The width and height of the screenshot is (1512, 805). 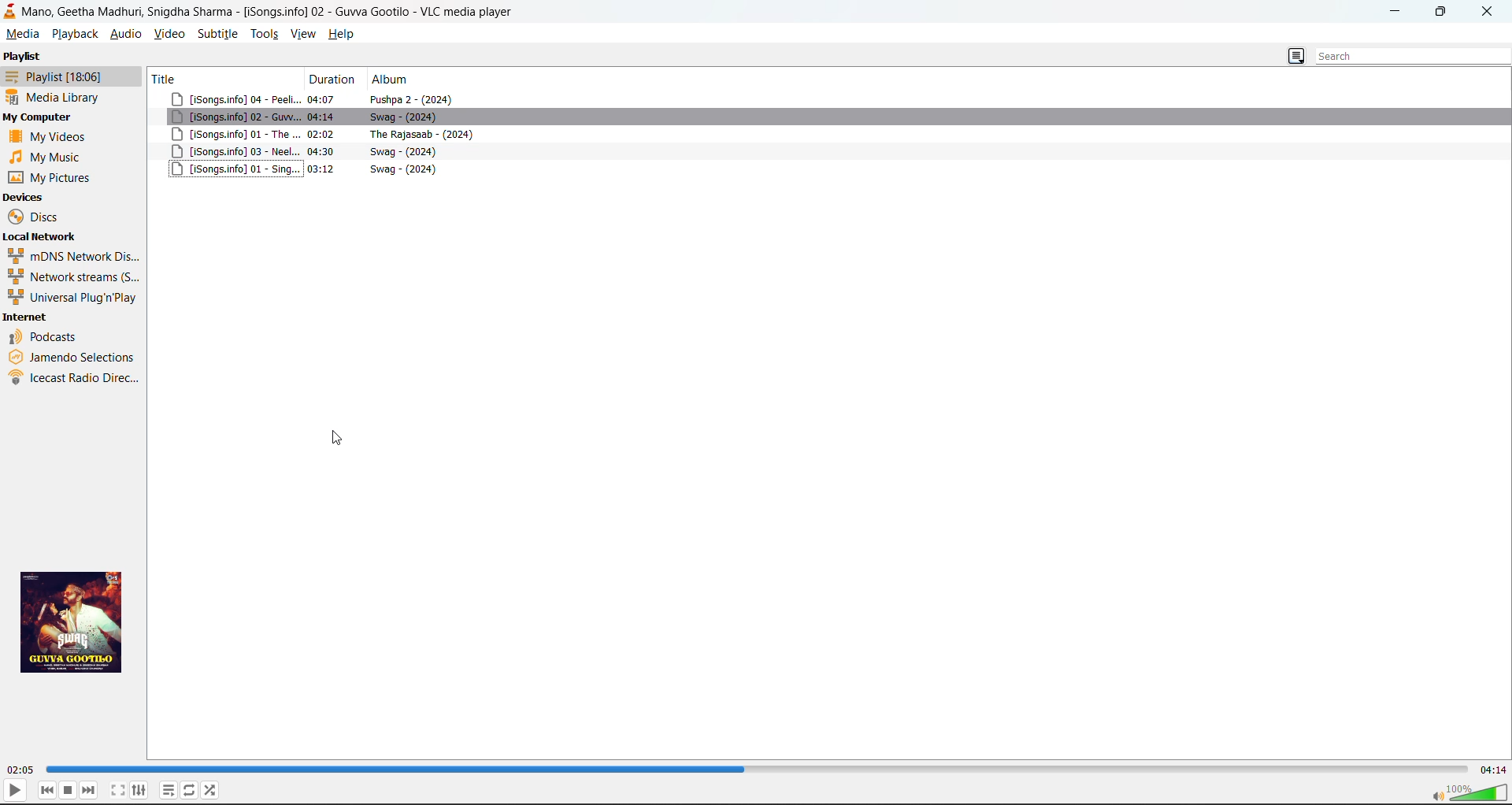 I want to click on song, so click(x=831, y=152).